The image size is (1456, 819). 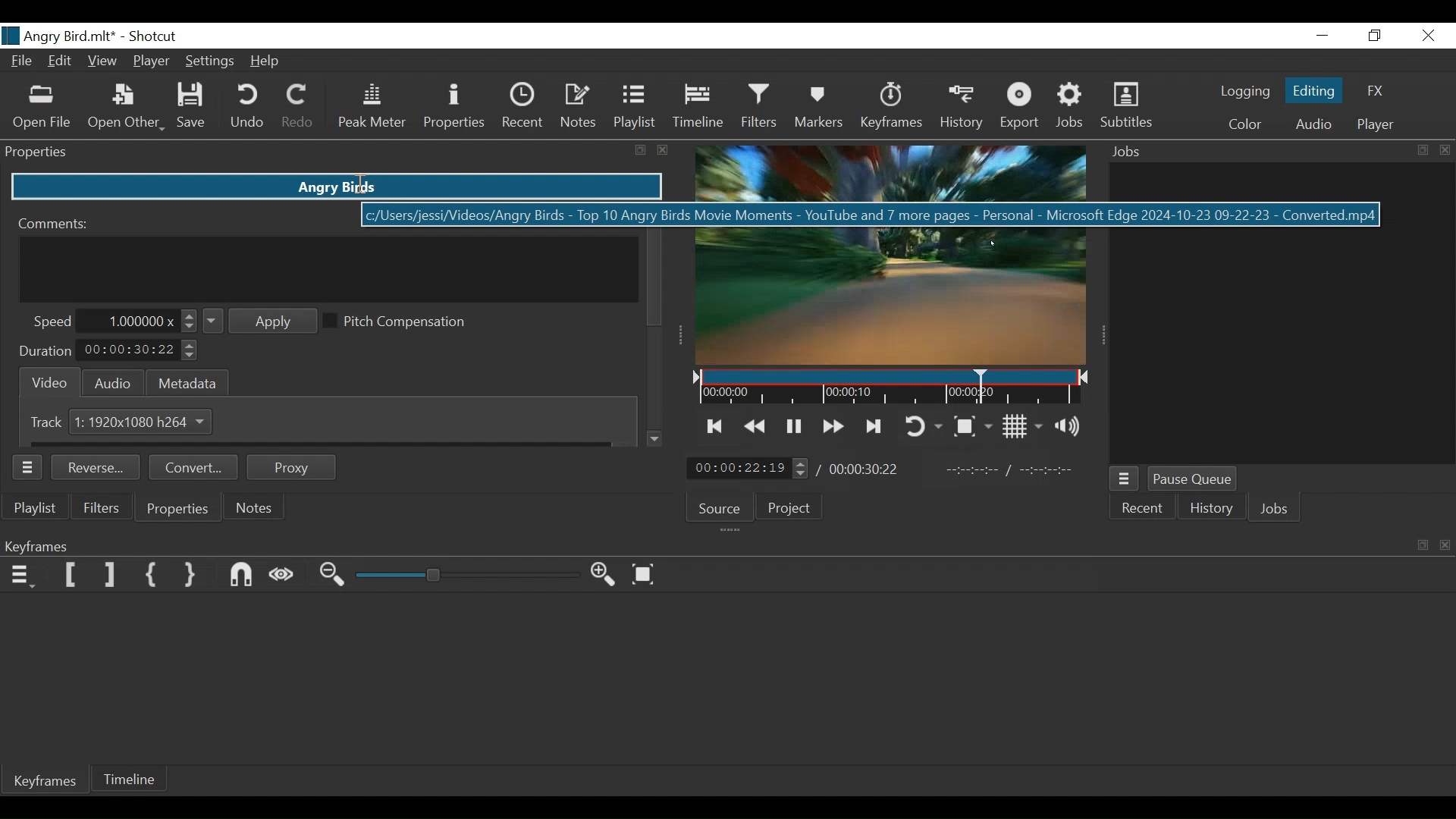 What do you see at coordinates (177, 509) in the screenshot?
I see `Properties` at bounding box center [177, 509].